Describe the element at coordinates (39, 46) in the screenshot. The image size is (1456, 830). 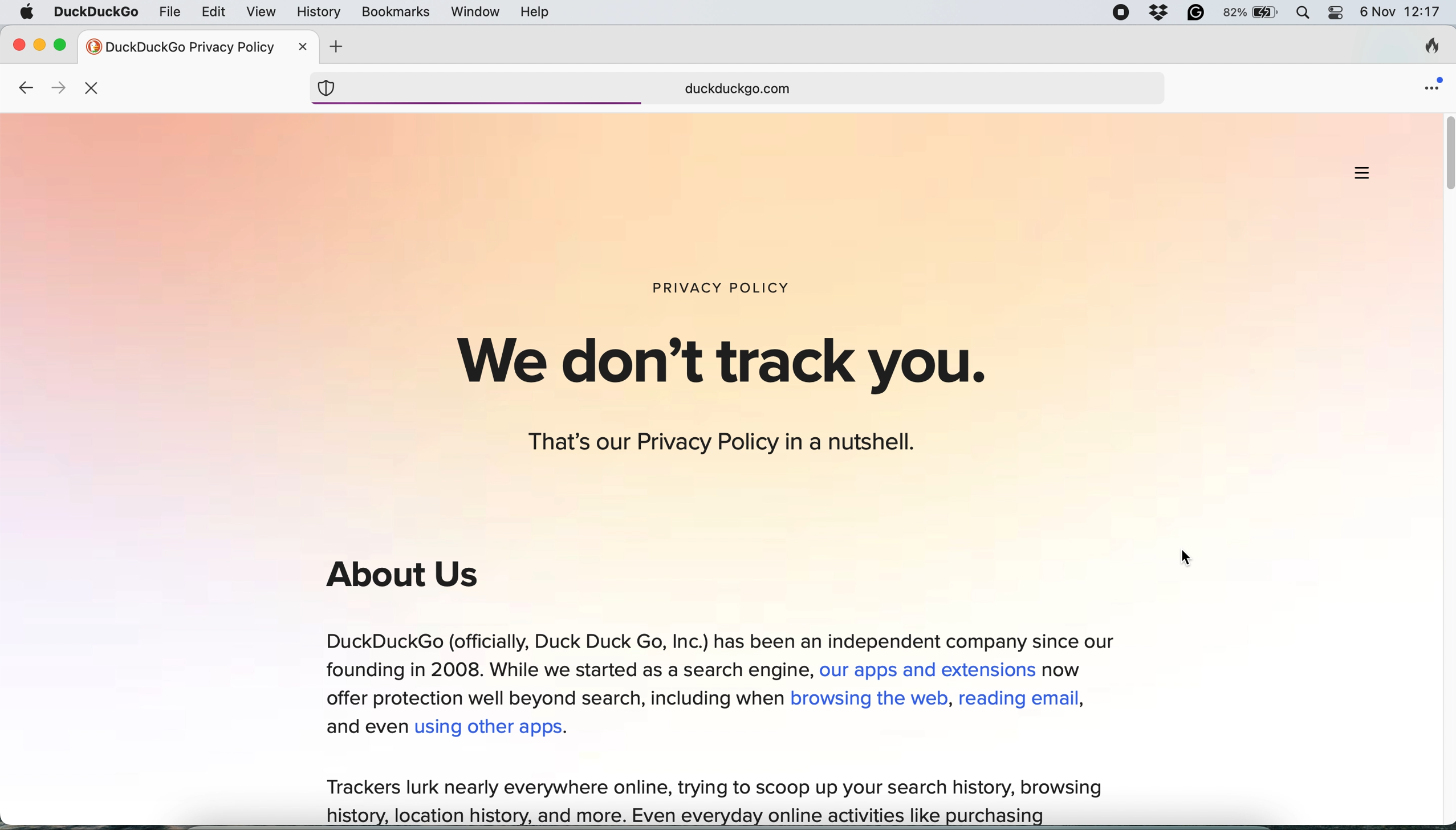
I see `minimise` at that location.